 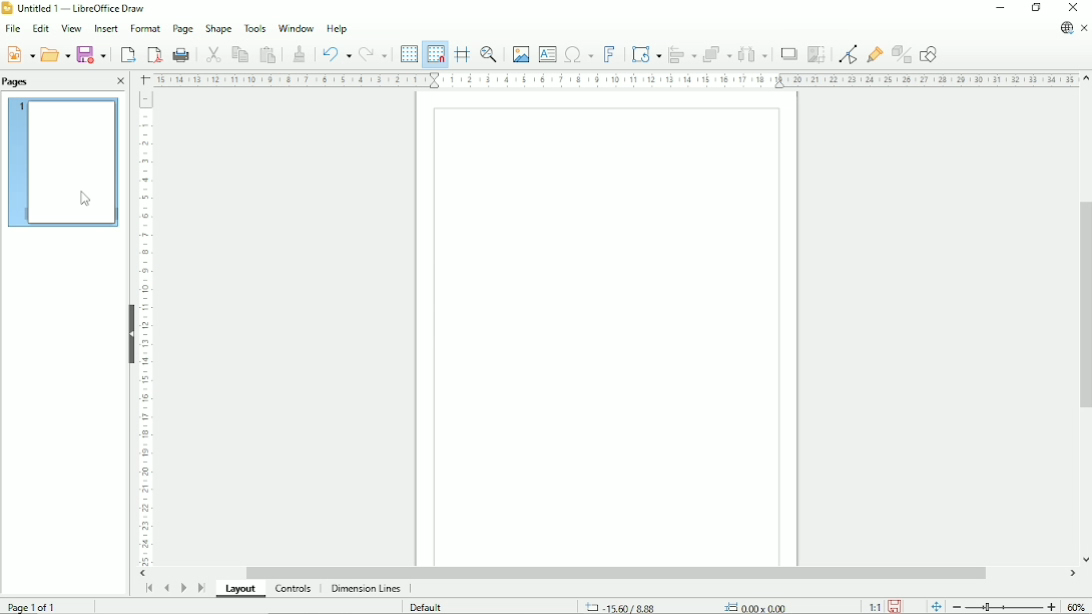 I want to click on Undo, so click(x=334, y=53).